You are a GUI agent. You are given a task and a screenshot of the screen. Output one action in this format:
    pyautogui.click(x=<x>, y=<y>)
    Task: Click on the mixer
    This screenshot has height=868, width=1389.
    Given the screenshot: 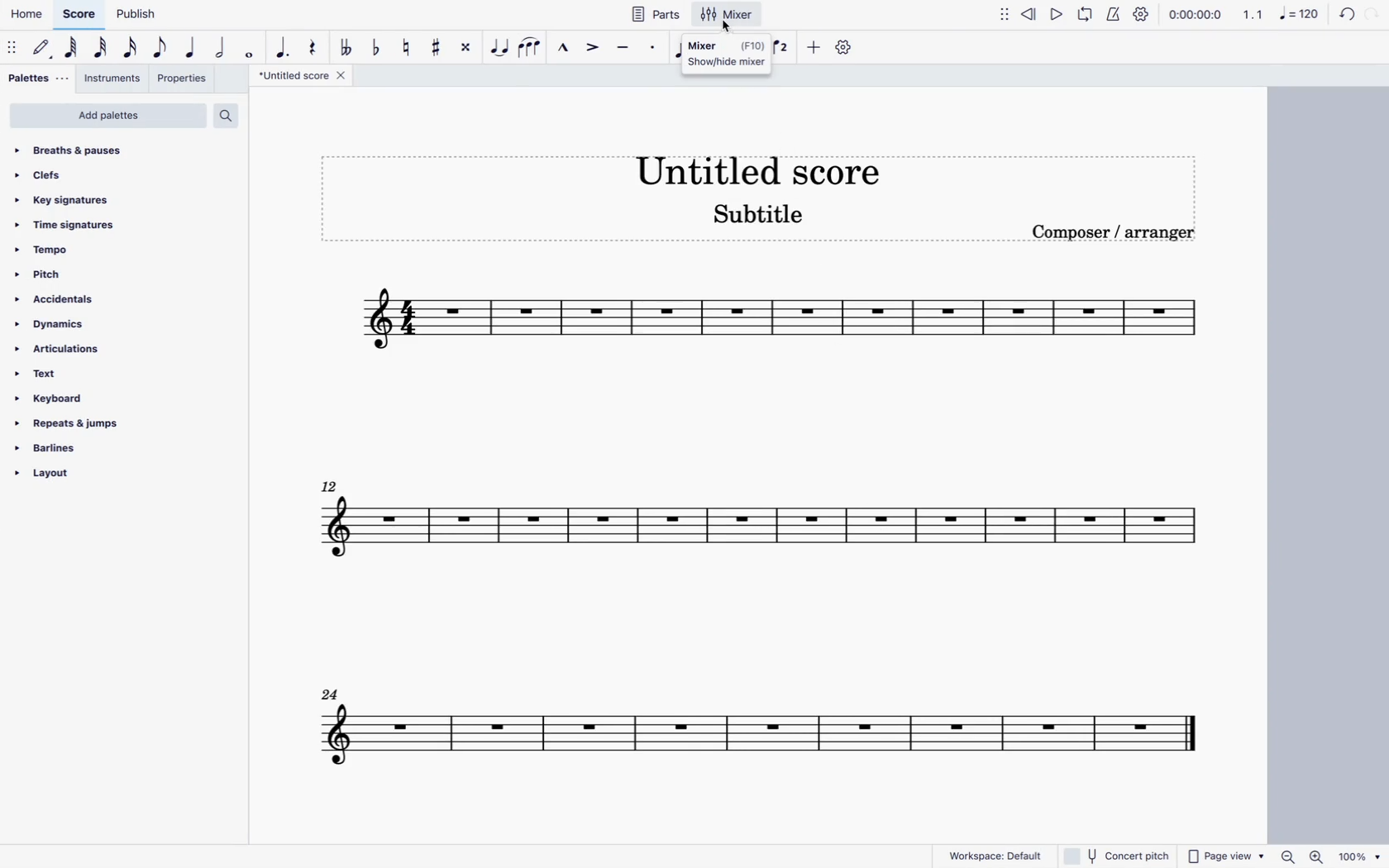 What is the action you would take?
    pyautogui.click(x=731, y=14)
    